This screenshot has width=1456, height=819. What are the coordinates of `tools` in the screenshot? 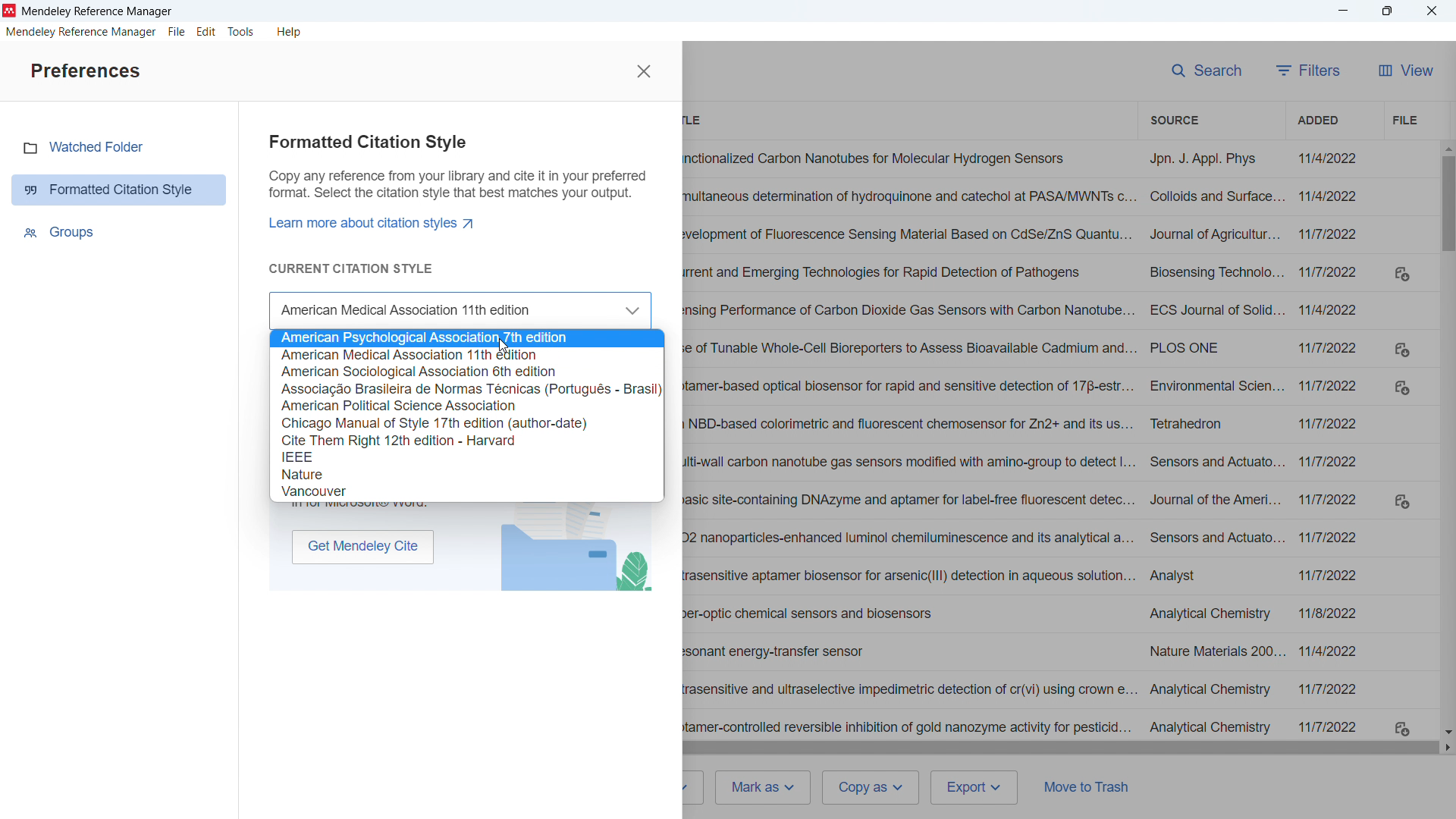 It's located at (241, 31).